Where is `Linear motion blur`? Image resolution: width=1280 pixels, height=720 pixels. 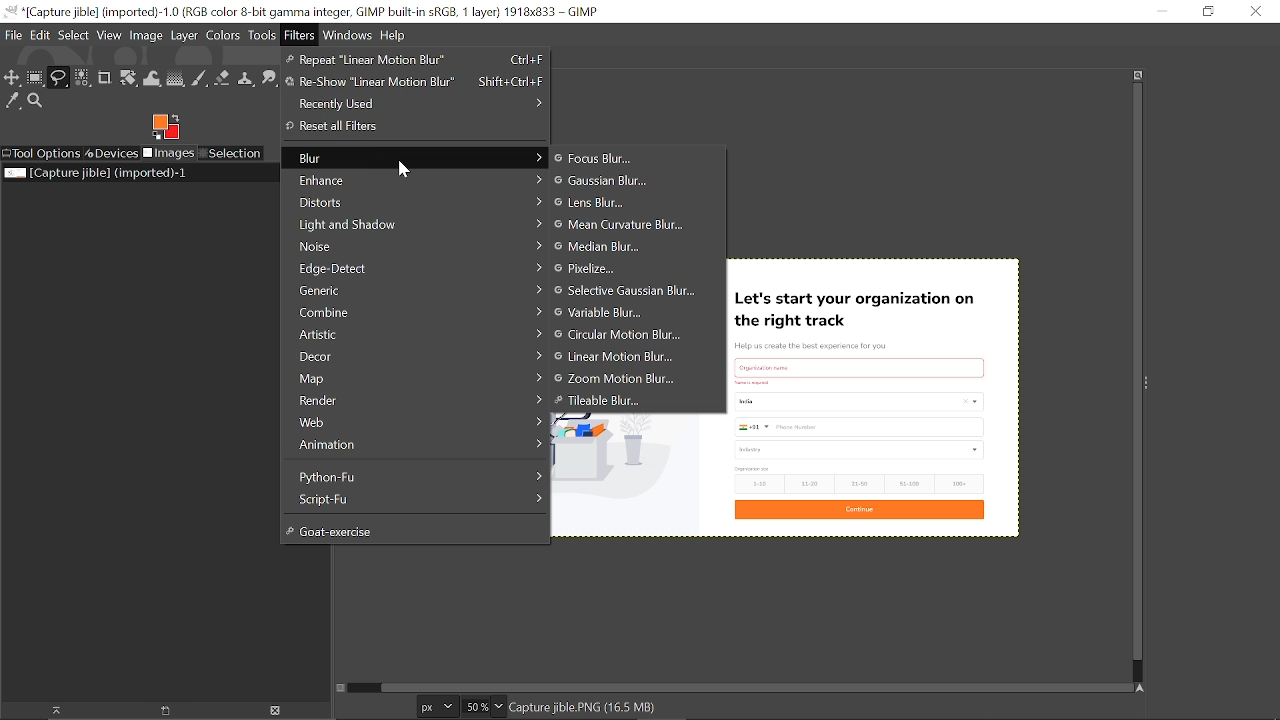 Linear motion blur is located at coordinates (622, 357).